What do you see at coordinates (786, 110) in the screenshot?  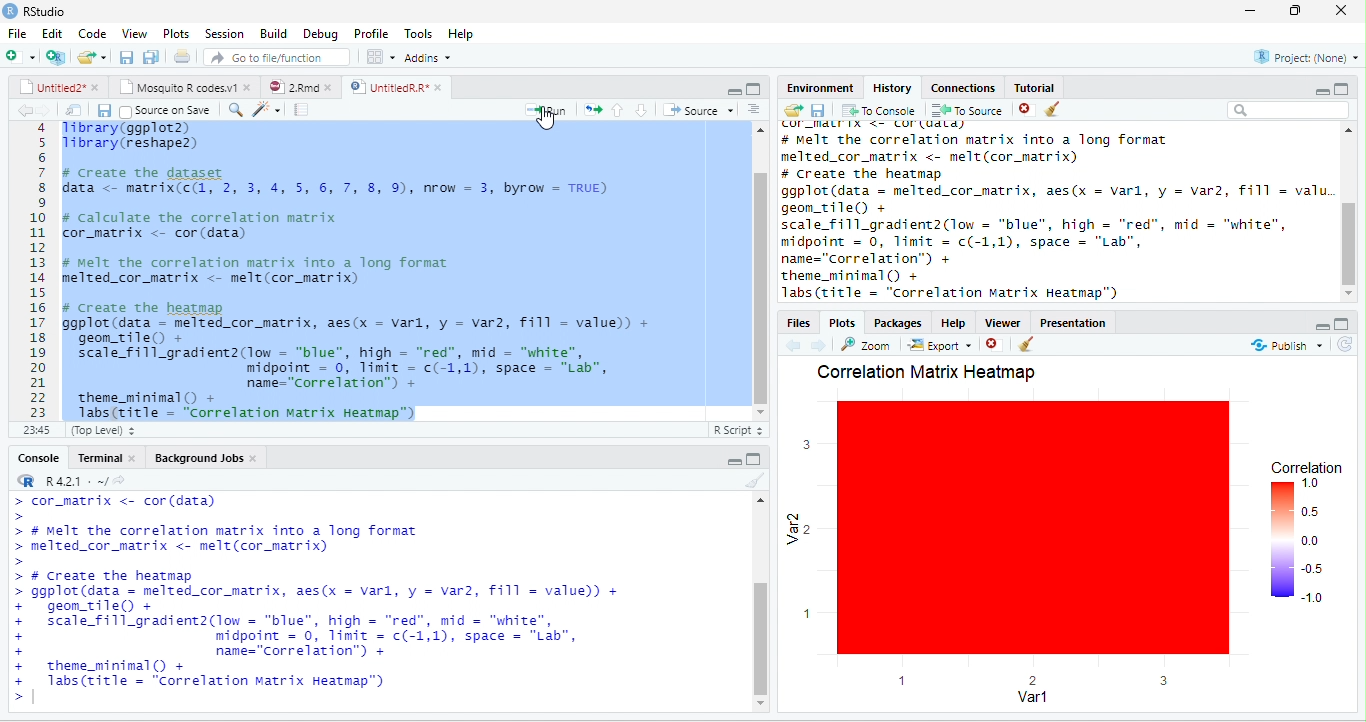 I see `send file` at bounding box center [786, 110].